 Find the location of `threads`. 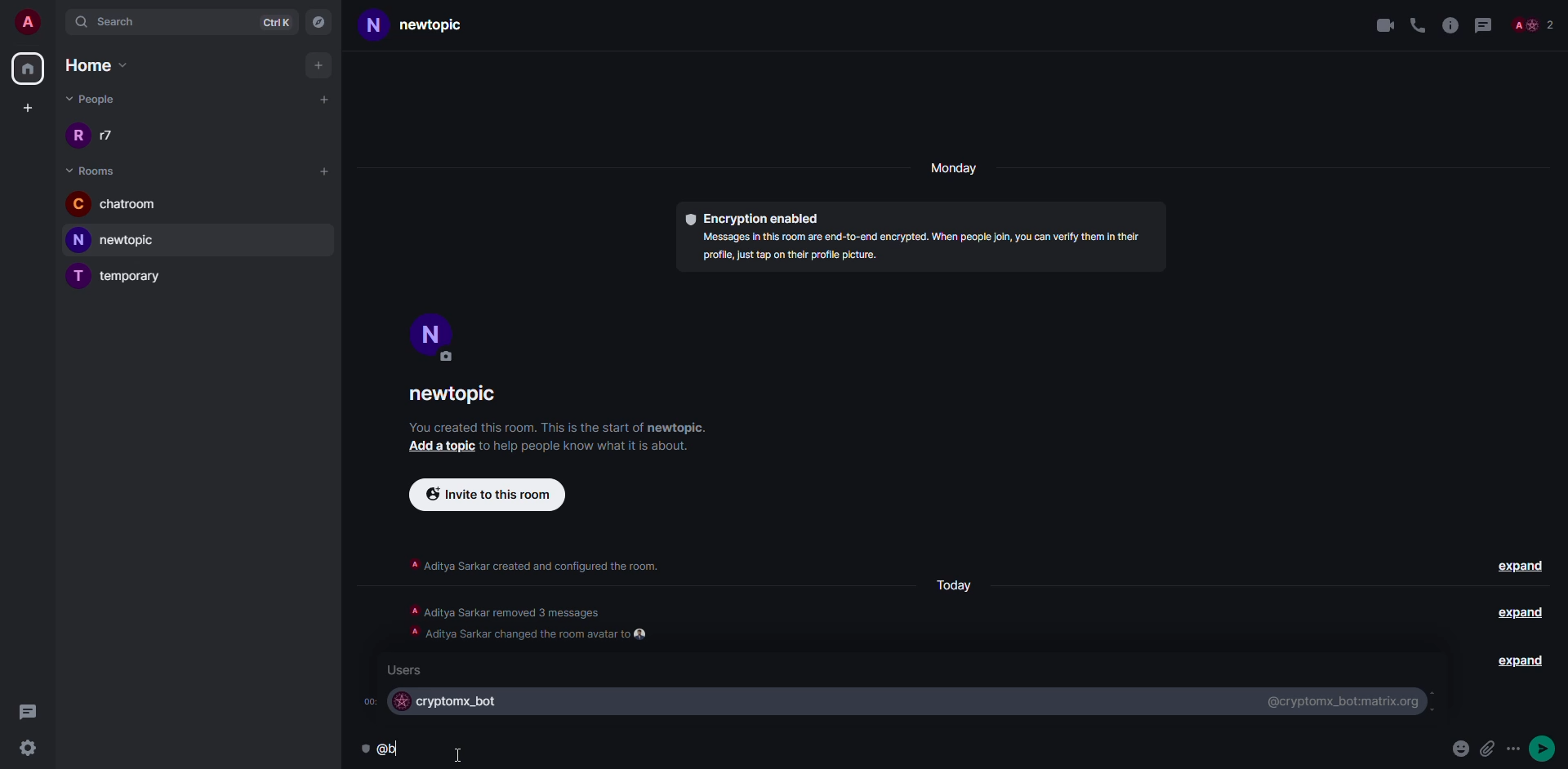

threads is located at coordinates (28, 711).